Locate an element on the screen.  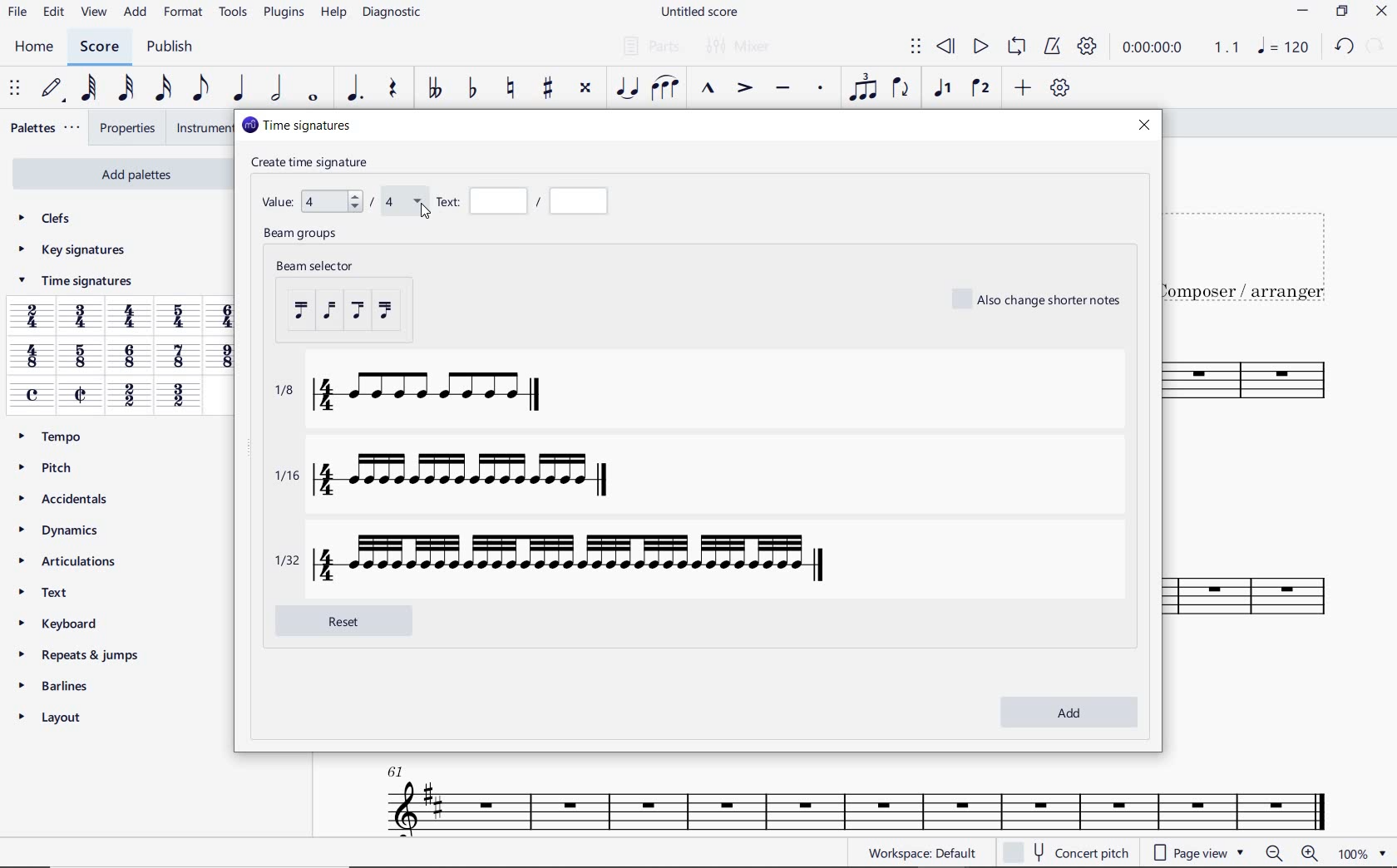
AUGMENTATION DOT is located at coordinates (353, 89).